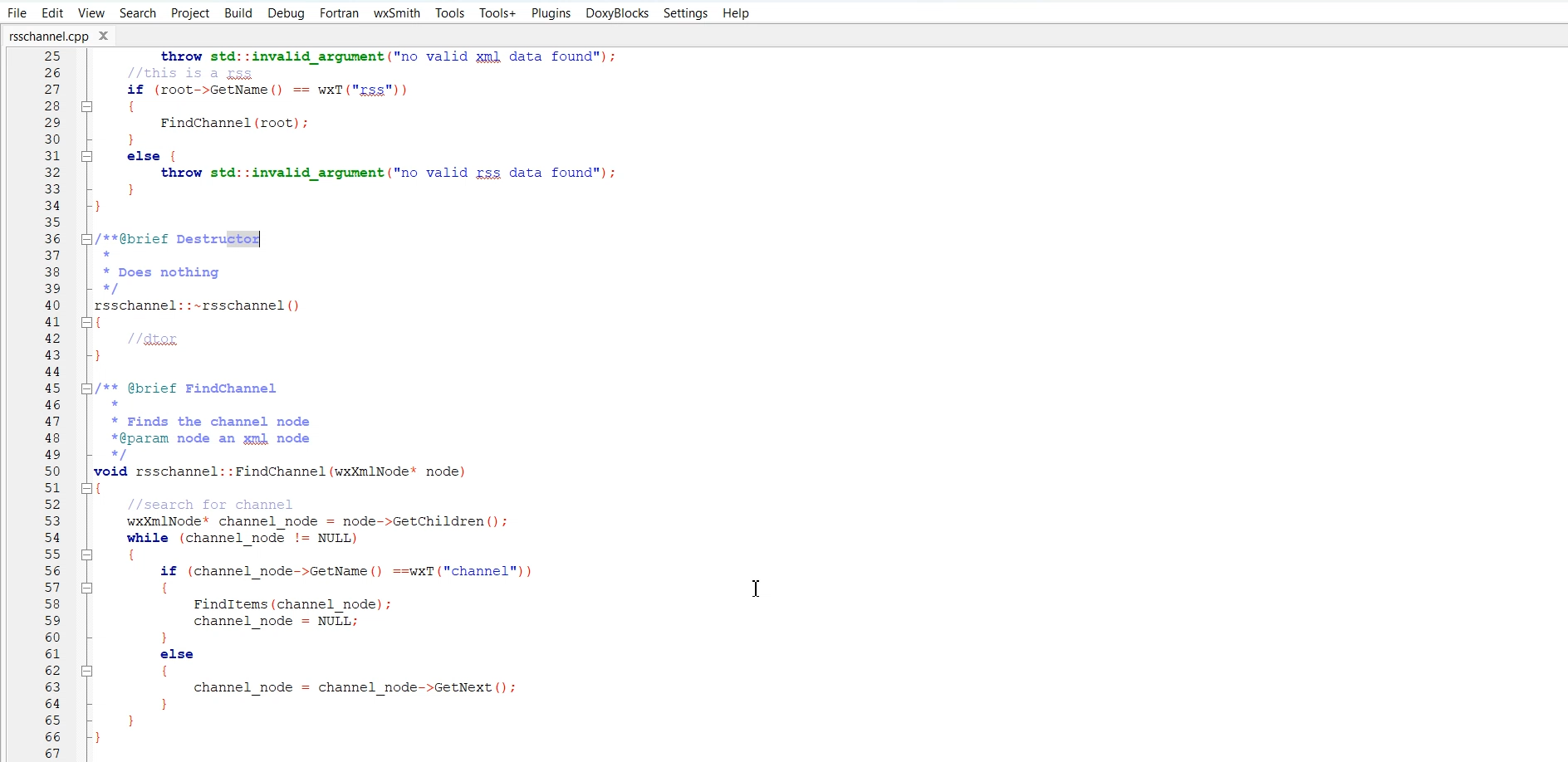  I want to click on Number line(2,3,4........44), so click(53, 405).